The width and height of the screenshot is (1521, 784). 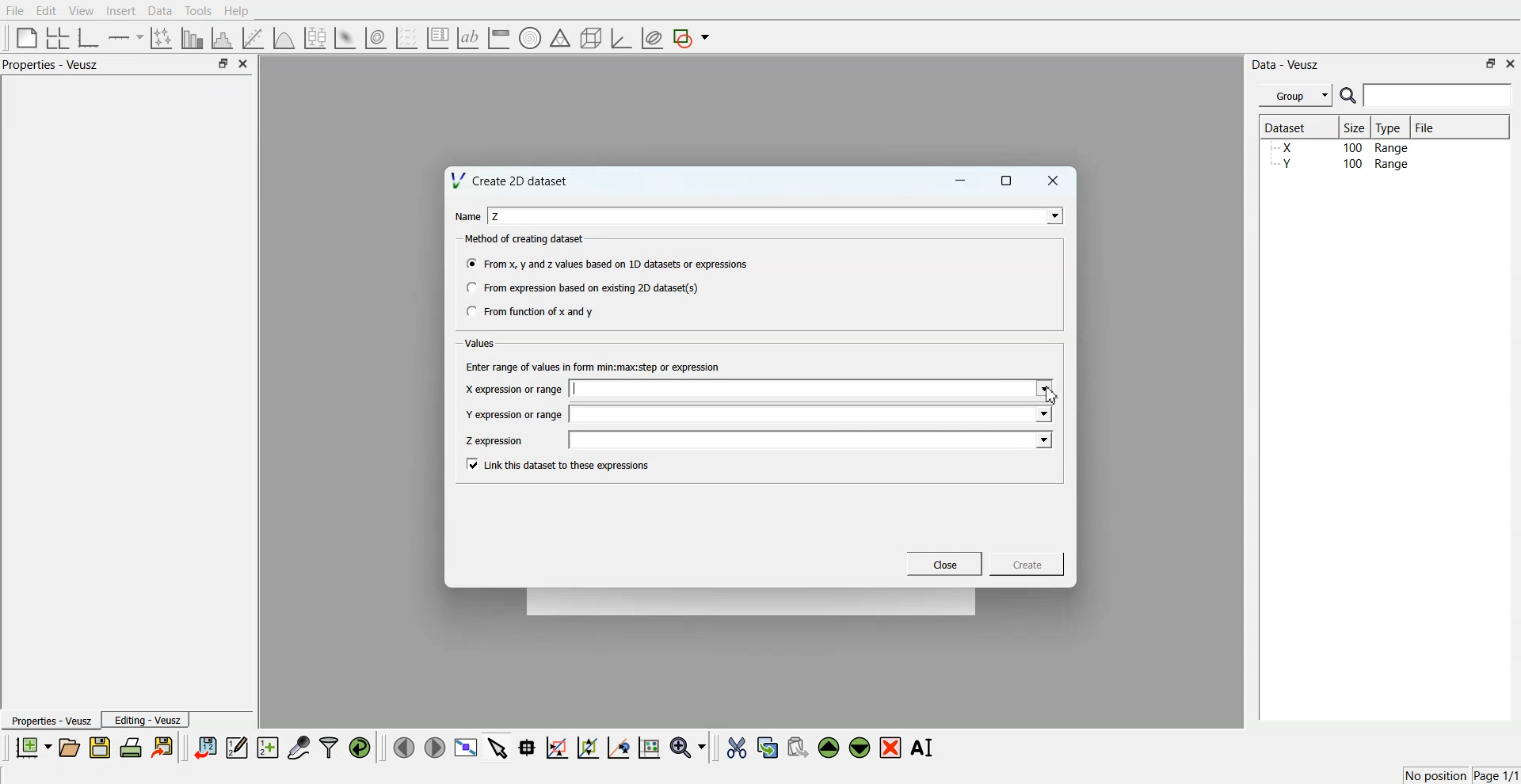 I want to click on Plot a vector field, so click(x=406, y=39).